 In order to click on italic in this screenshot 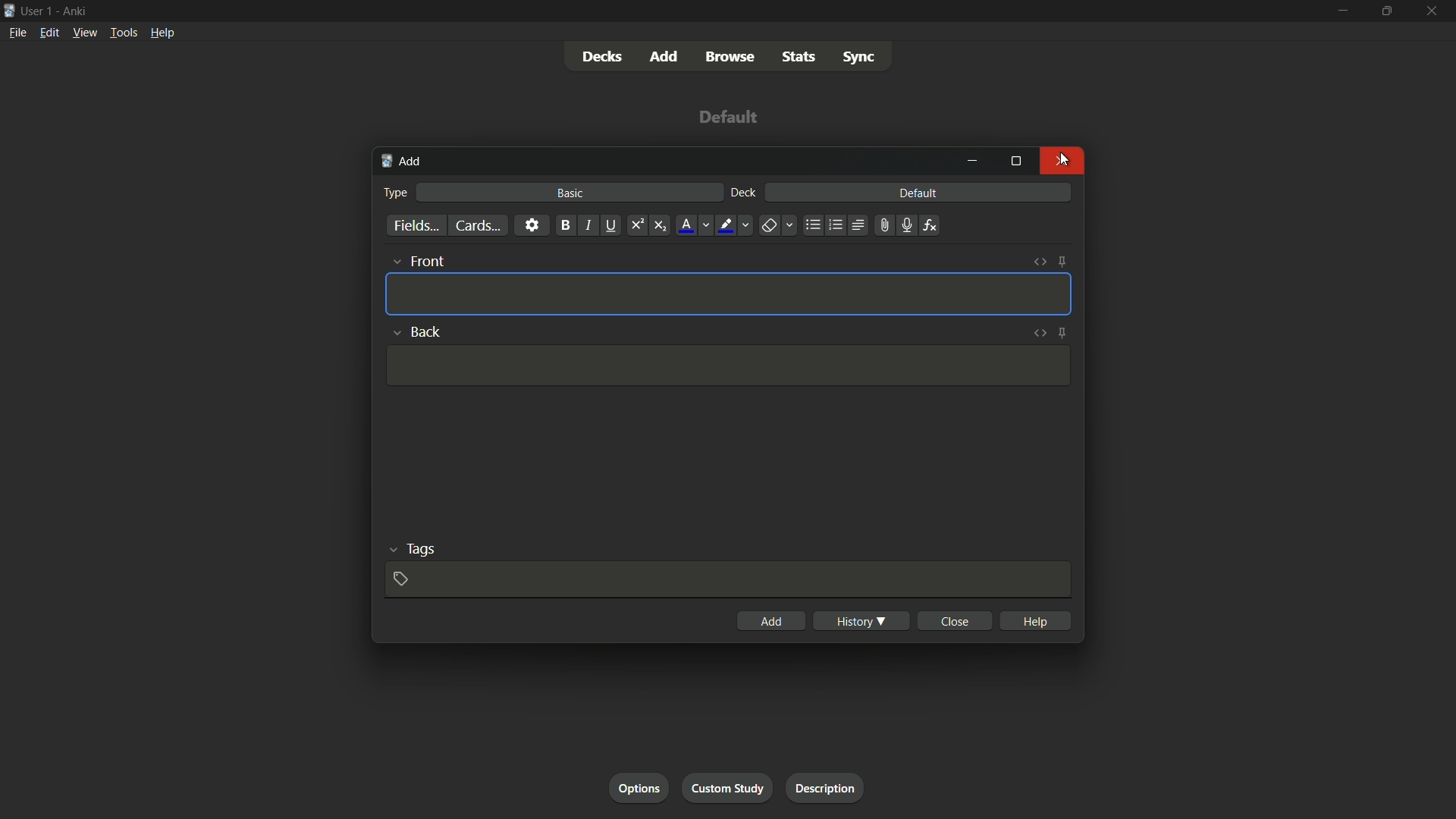, I will do `click(589, 225)`.